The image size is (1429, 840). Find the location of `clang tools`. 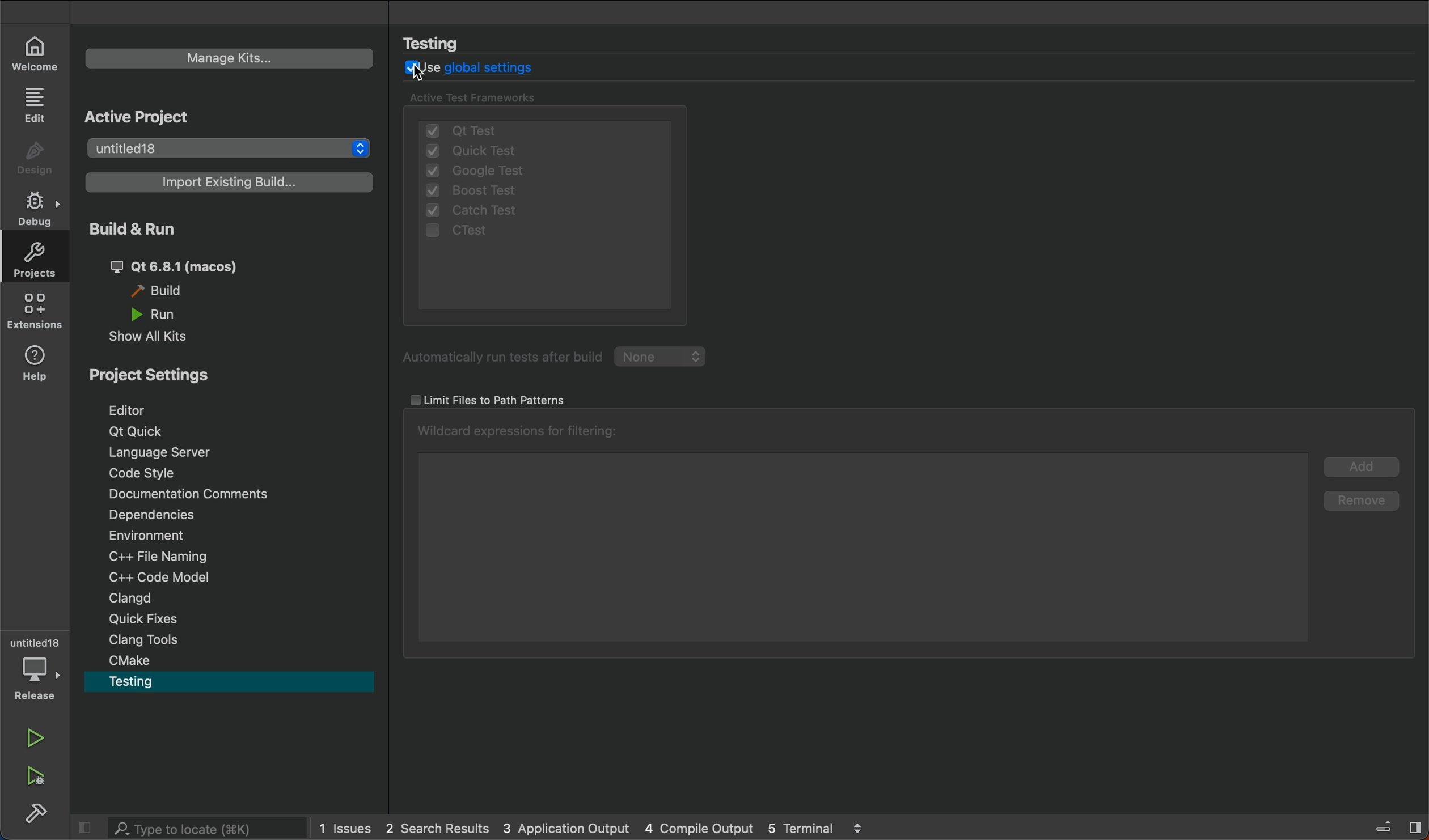

clang tools is located at coordinates (230, 640).